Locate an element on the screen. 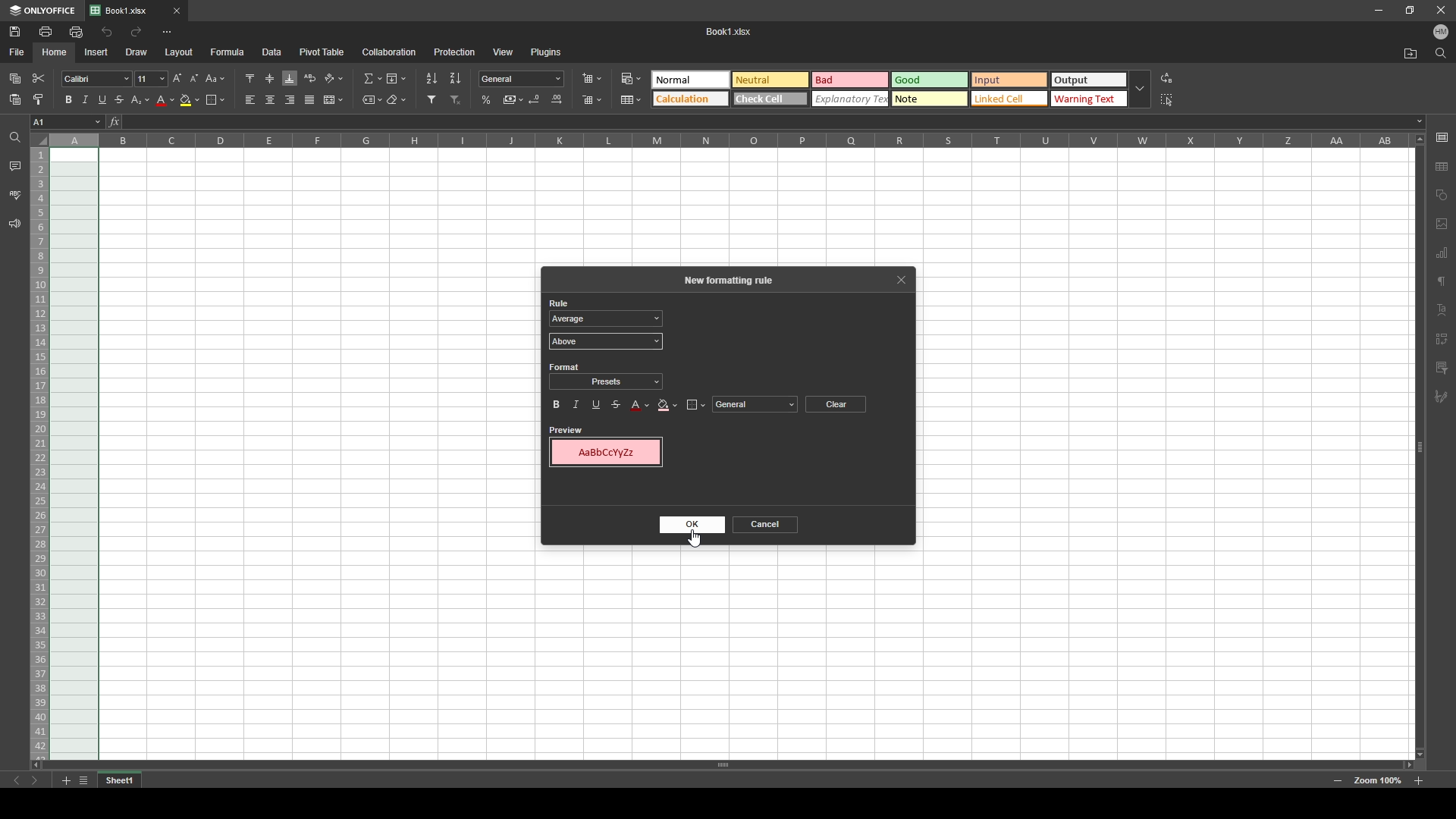 The height and width of the screenshot is (819, 1456). find is located at coordinates (1441, 54).